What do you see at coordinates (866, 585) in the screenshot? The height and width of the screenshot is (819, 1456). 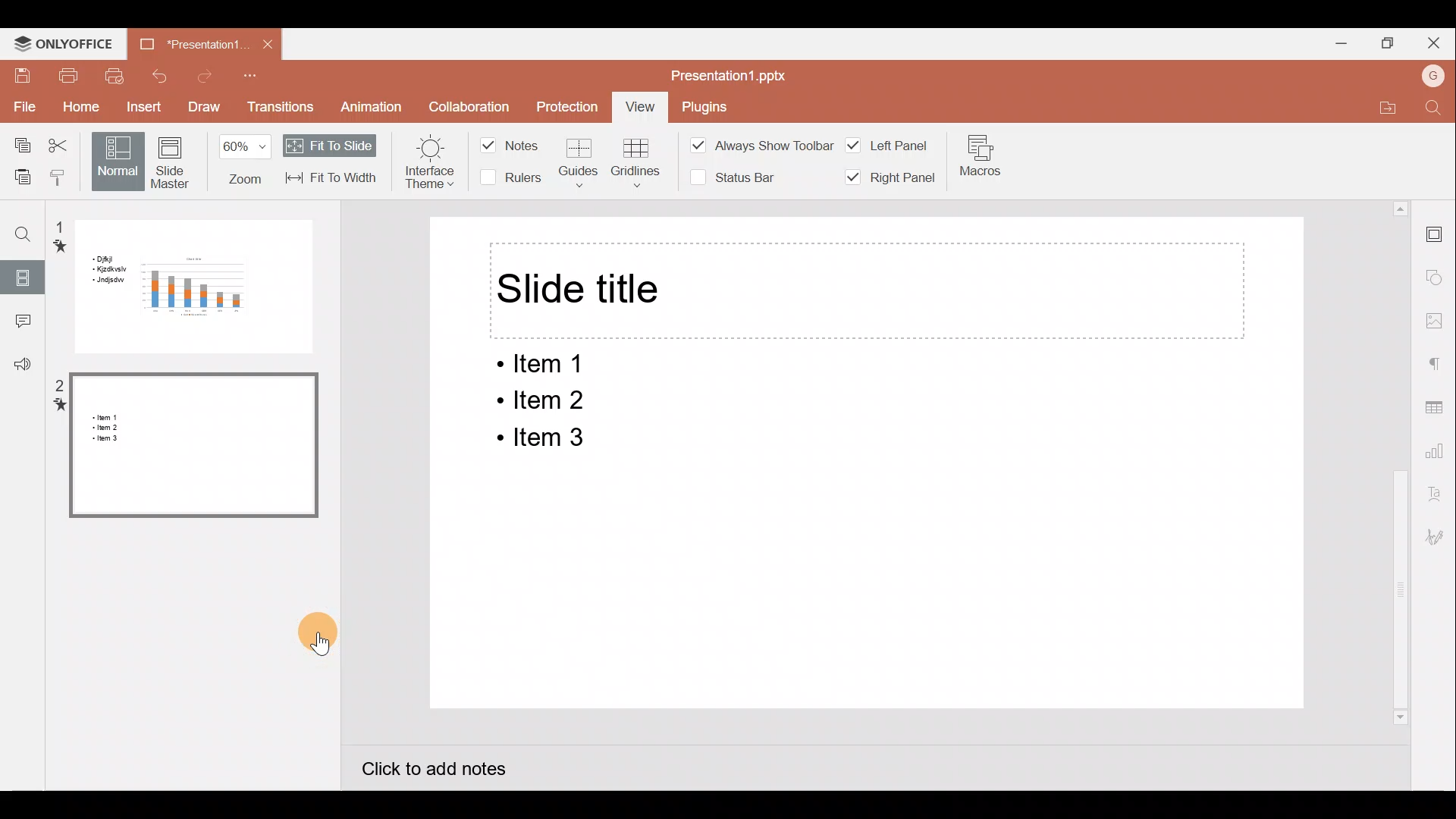 I see `Presentation slide` at bounding box center [866, 585].